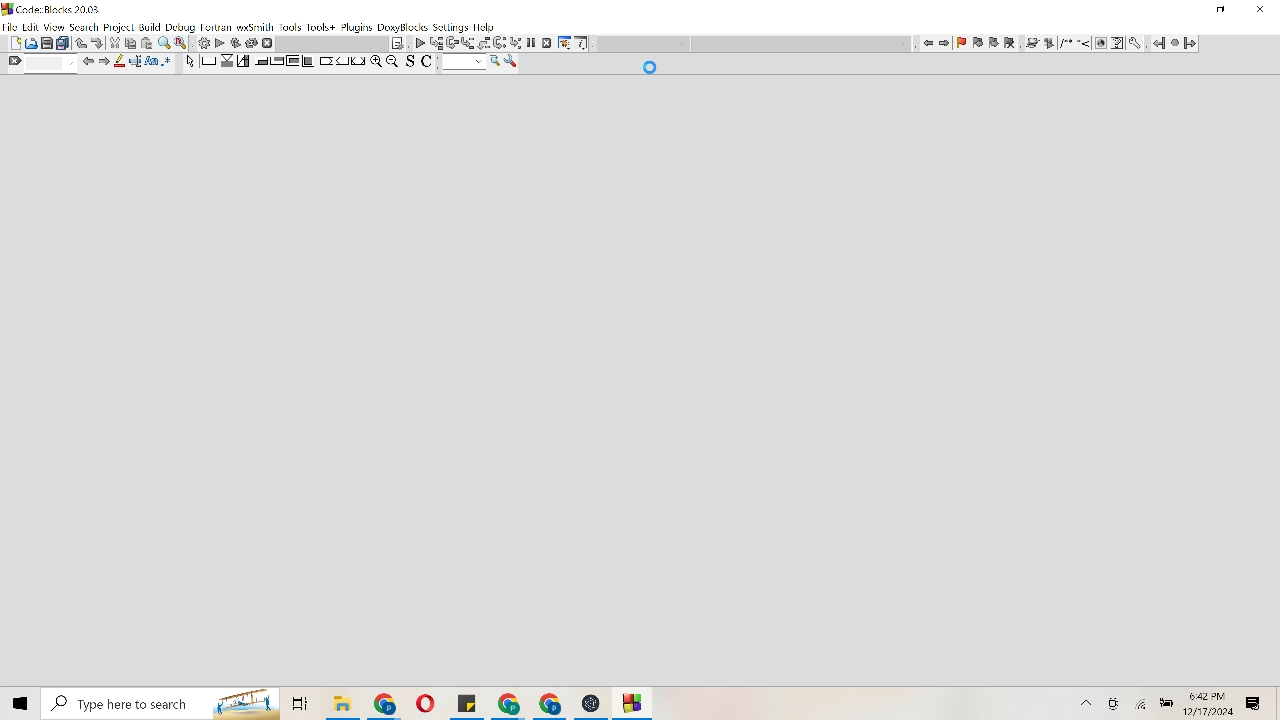 The image size is (1280, 720). What do you see at coordinates (634, 704) in the screenshot?
I see `File` at bounding box center [634, 704].